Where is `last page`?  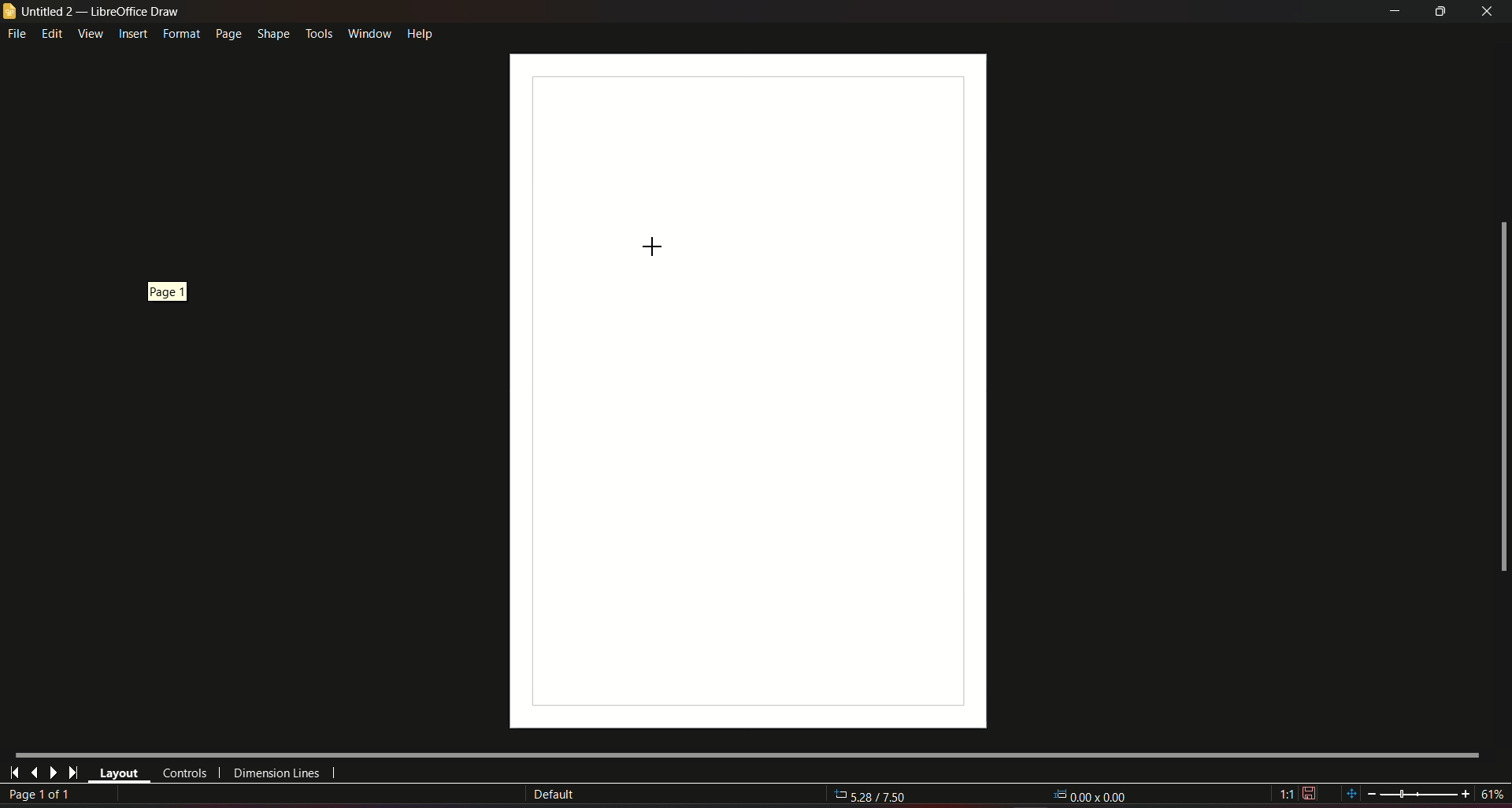 last page is located at coordinates (34, 772).